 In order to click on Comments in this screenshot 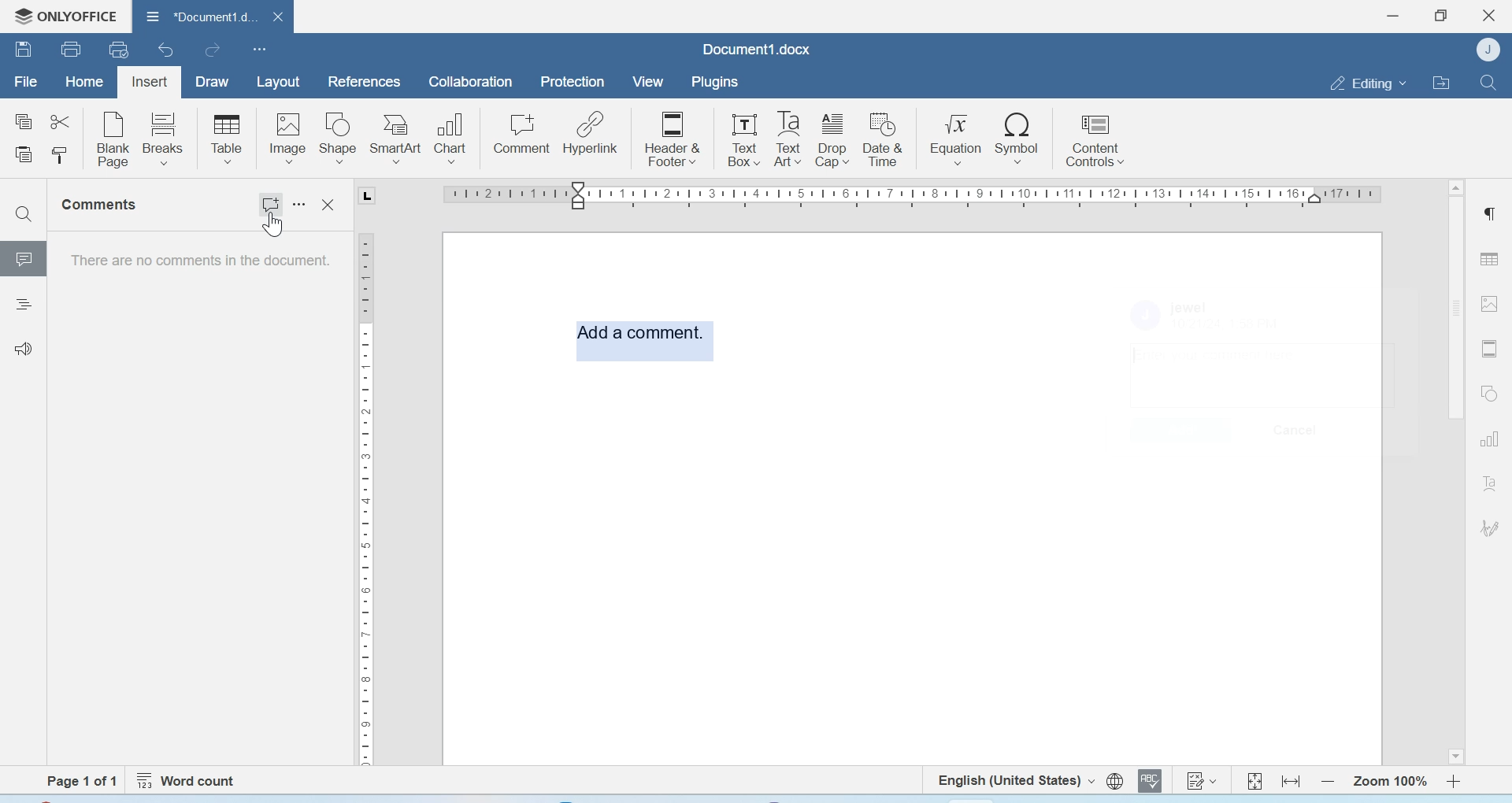, I will do `click(102, 205)`.